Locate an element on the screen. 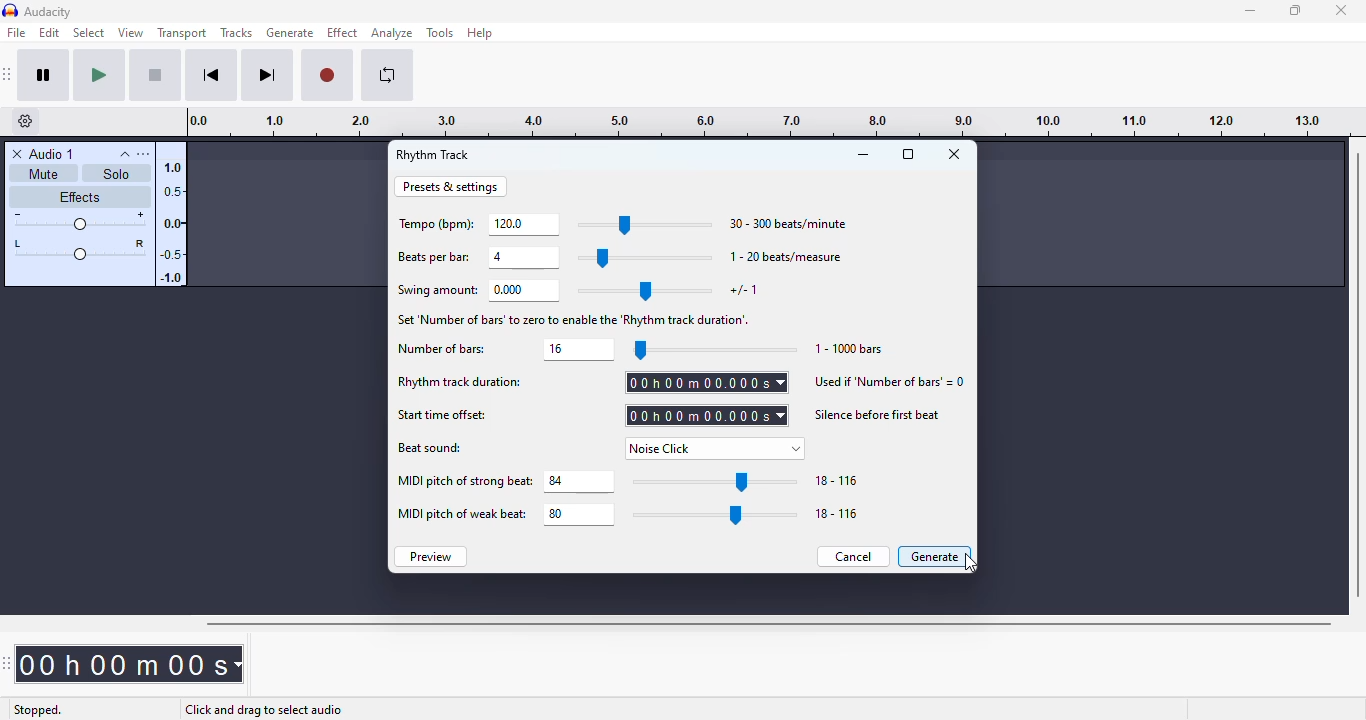 The image size is (1366, 720). transport is located at coordinates (181, 33).